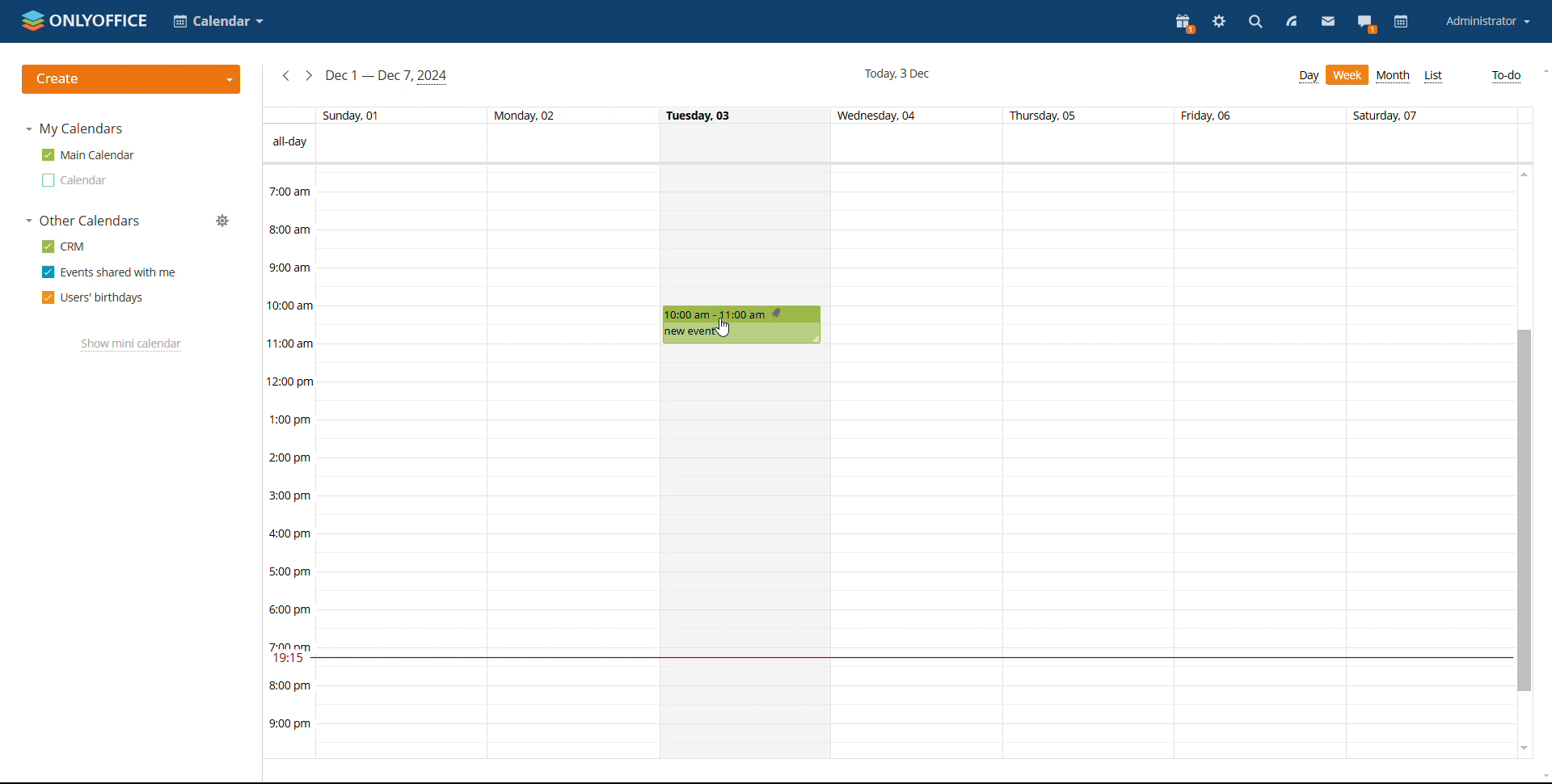  Describe the element at coordinates (727, 314) in the screenshot. I see `10:00 am - 11:00 am` at that location.